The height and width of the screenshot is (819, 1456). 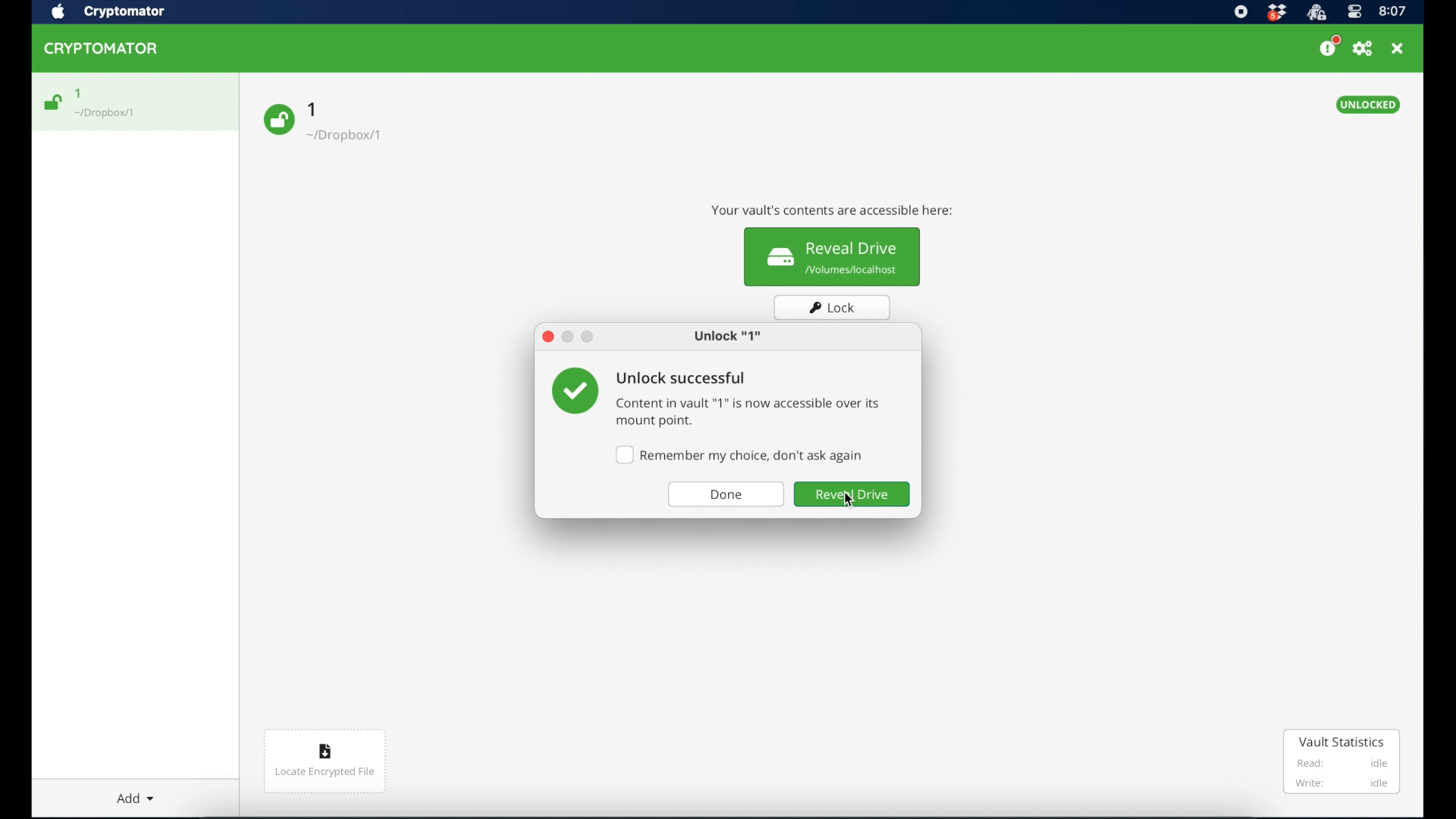 I want to click on reveal drive, so click(x=852, y=495).